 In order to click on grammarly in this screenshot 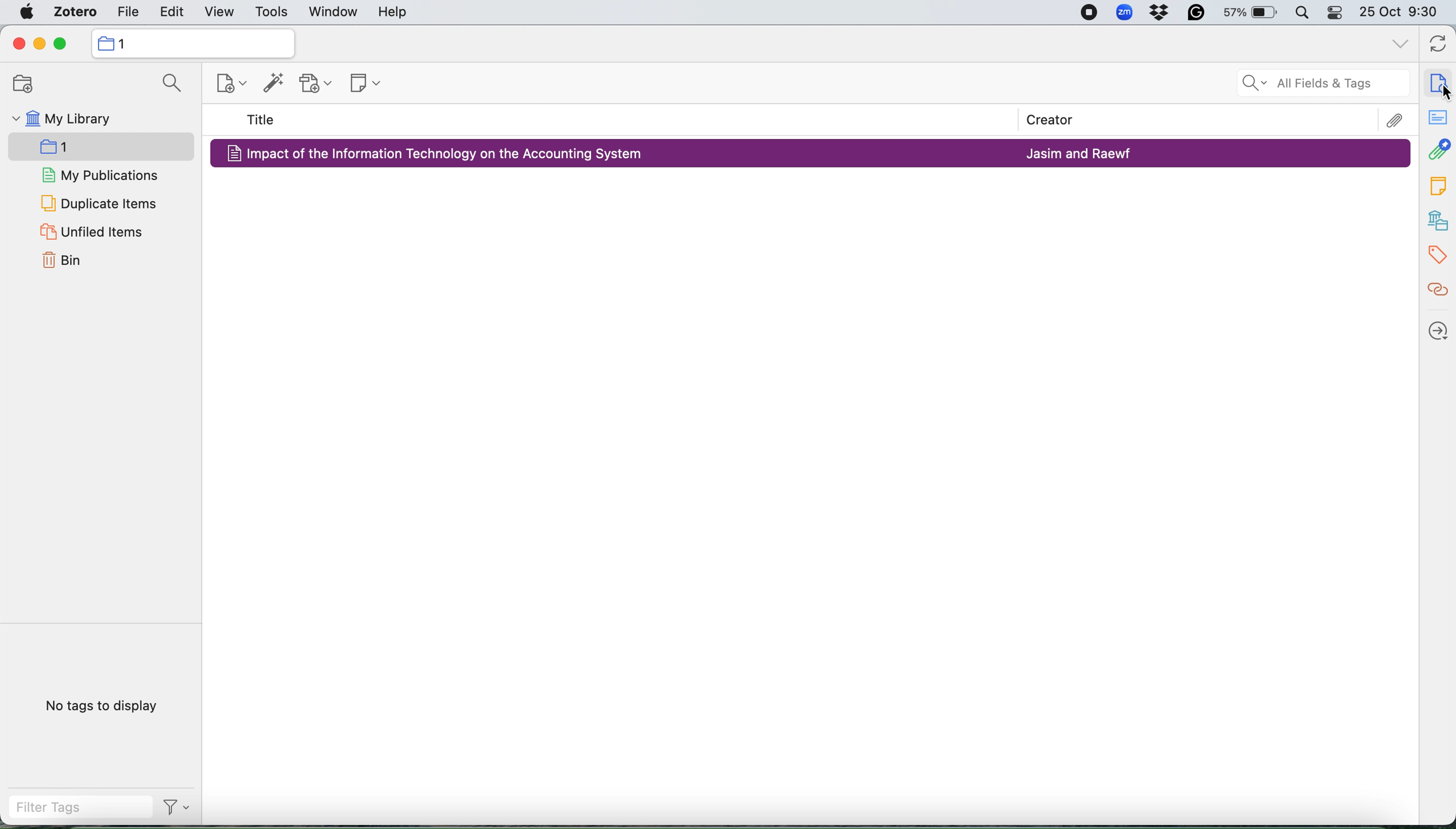, I will do `click(1199, 14)`.